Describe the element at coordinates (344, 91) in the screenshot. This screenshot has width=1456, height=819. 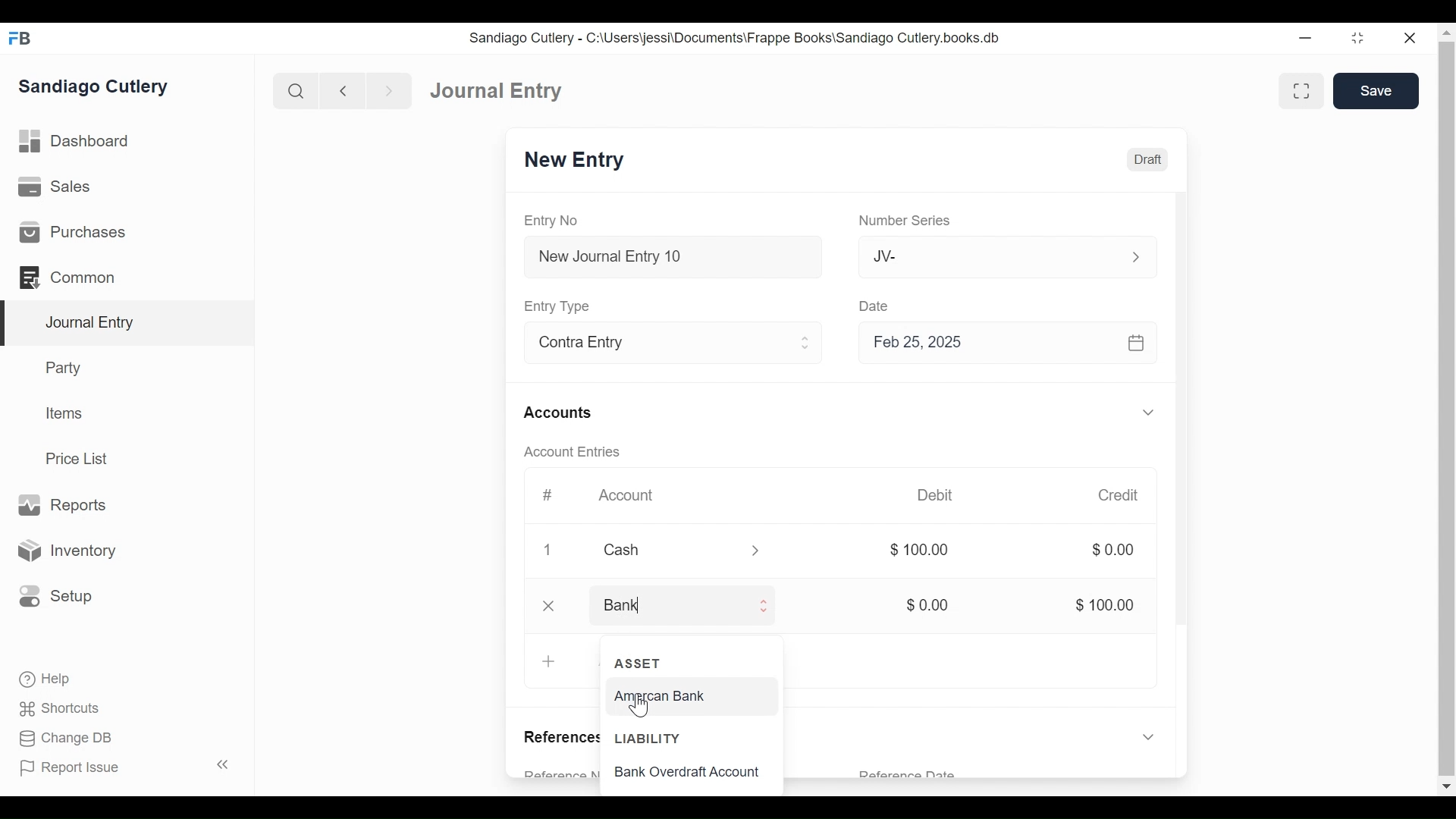
I see `Navigate Back` at that location.